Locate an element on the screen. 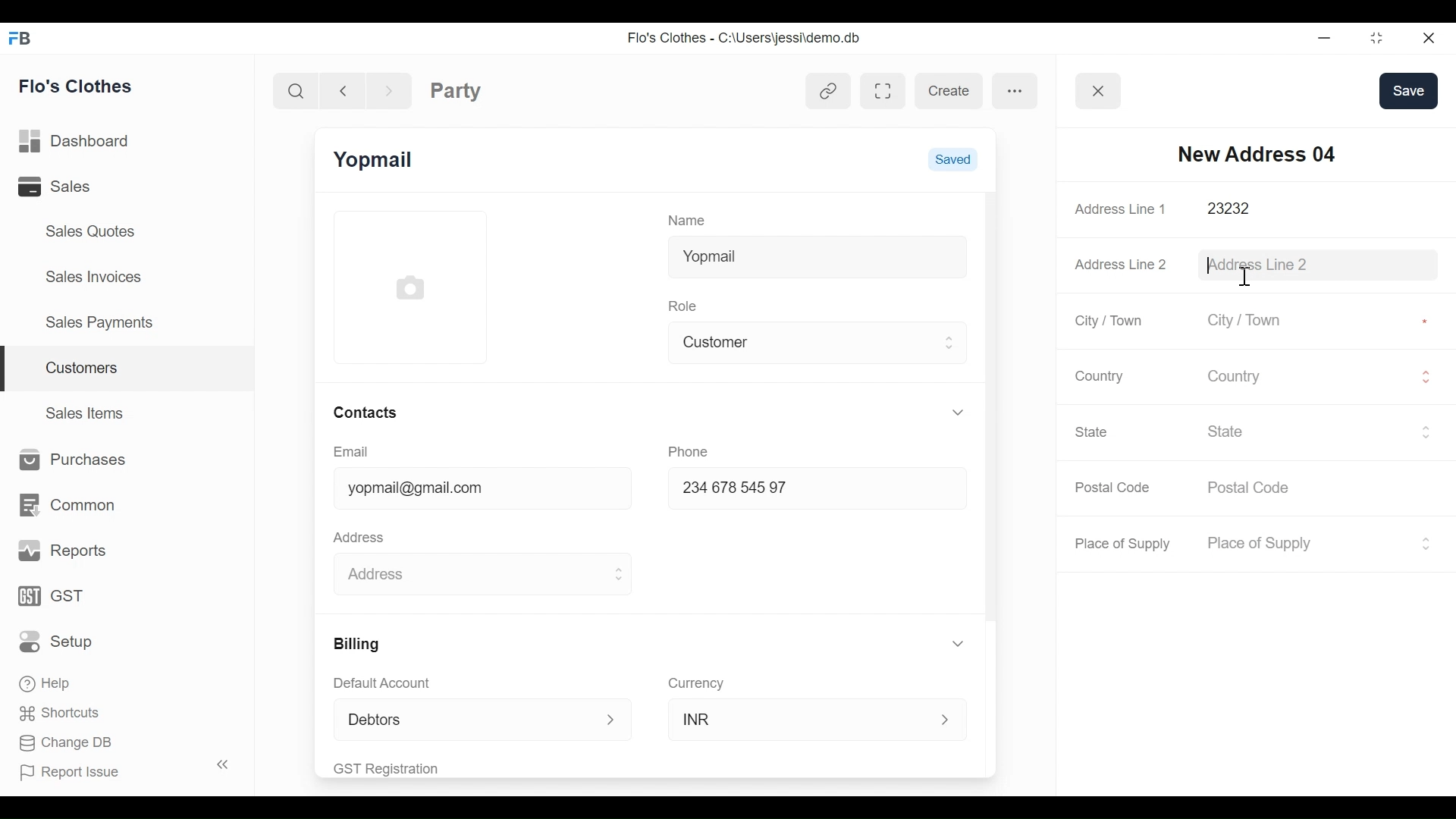 Image resolution: width=1456 pixels, height=819 pixels. Frappe Books Desktop Icon is located at coordinates (18, 39).